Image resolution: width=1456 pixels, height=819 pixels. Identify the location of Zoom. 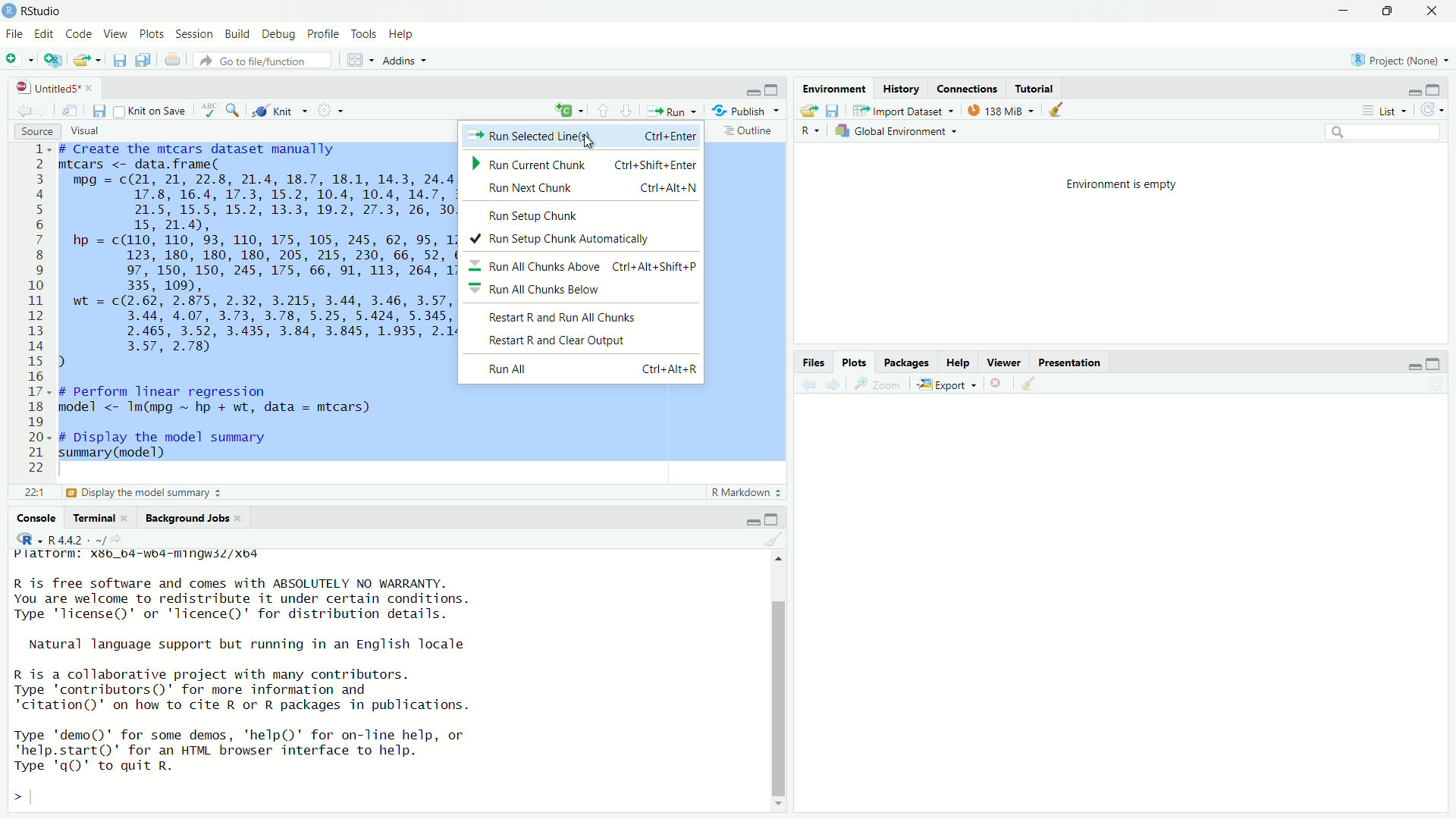
(882, 384).